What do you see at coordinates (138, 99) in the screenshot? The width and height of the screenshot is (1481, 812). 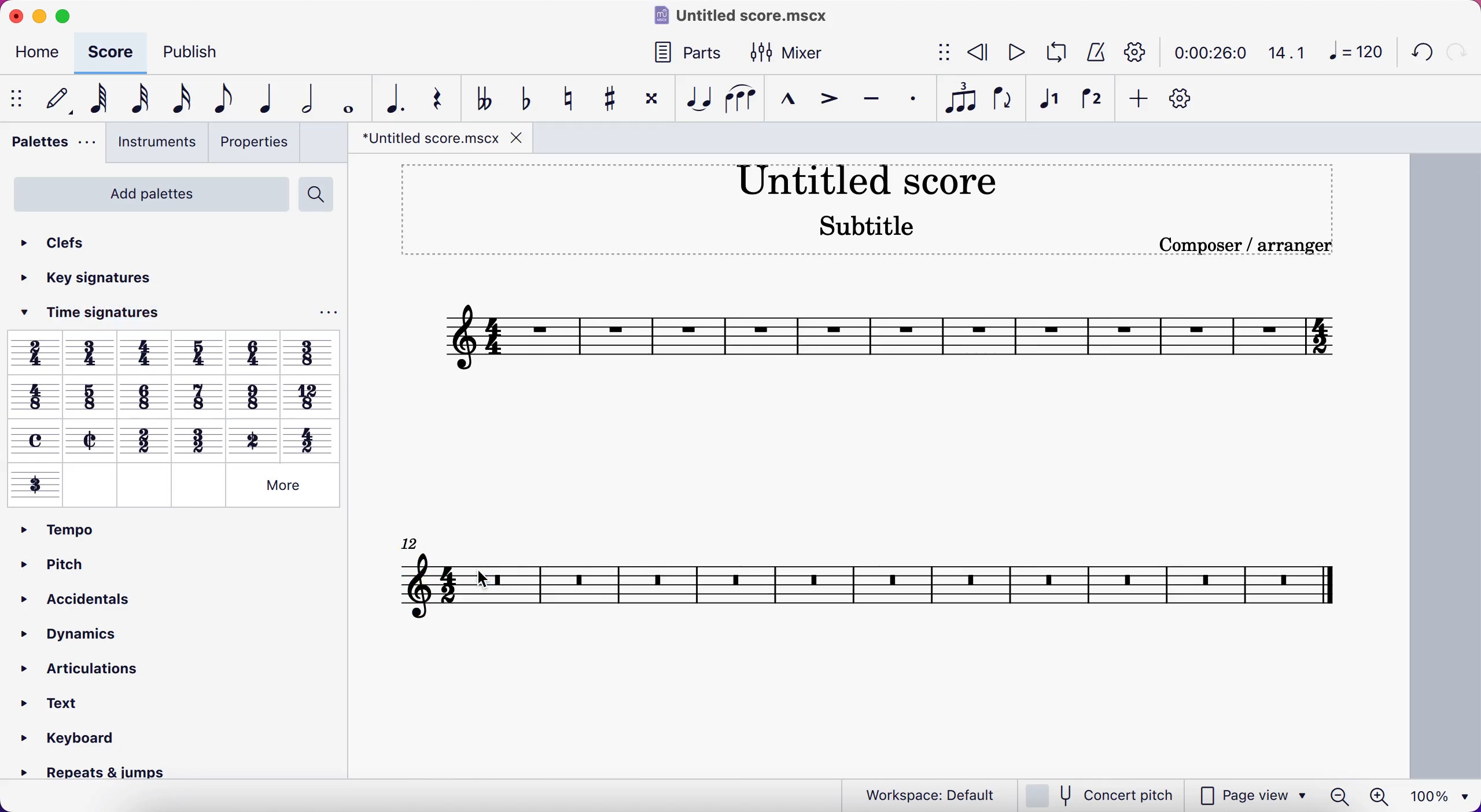 I see `32nd note` at bounding box center [138, 99].